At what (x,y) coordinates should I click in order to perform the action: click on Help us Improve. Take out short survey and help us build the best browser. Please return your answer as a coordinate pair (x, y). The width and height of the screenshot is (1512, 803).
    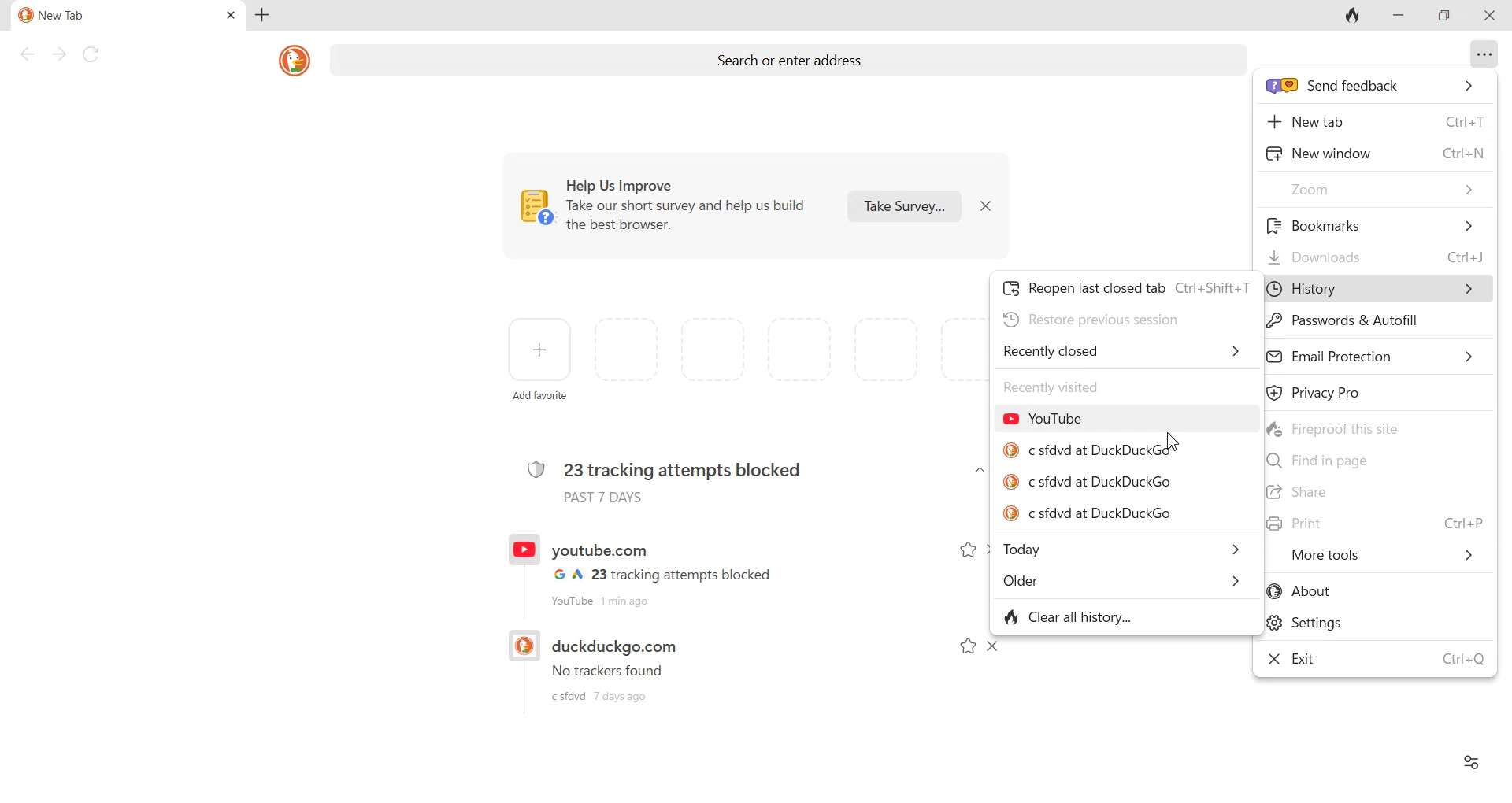
    Looking at the image, I should click on (669, 206).